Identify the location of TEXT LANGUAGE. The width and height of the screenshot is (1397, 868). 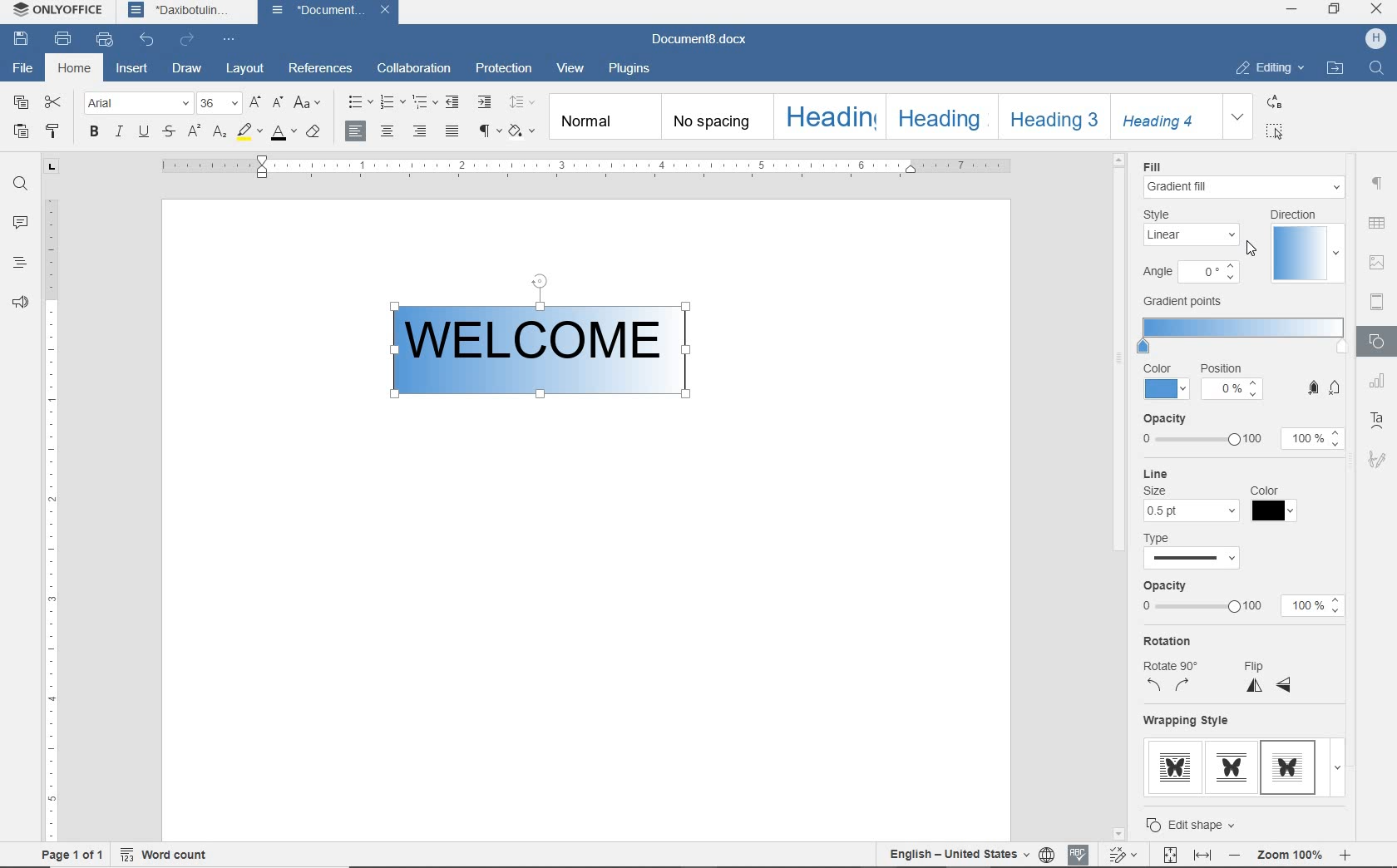
(959, 855).